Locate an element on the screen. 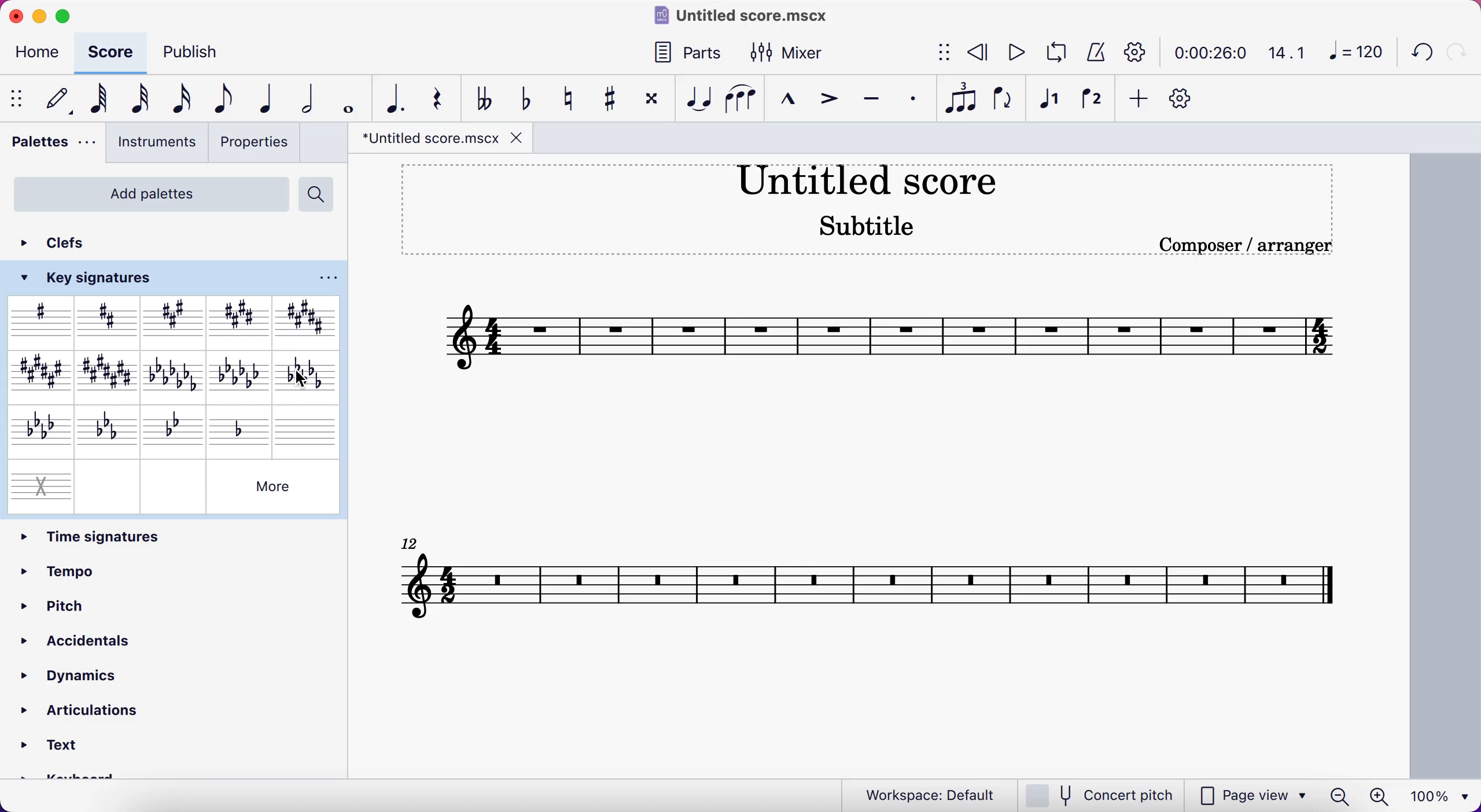 This screenshot has height=812, width=1481. score is located at coordinates (113, 53).